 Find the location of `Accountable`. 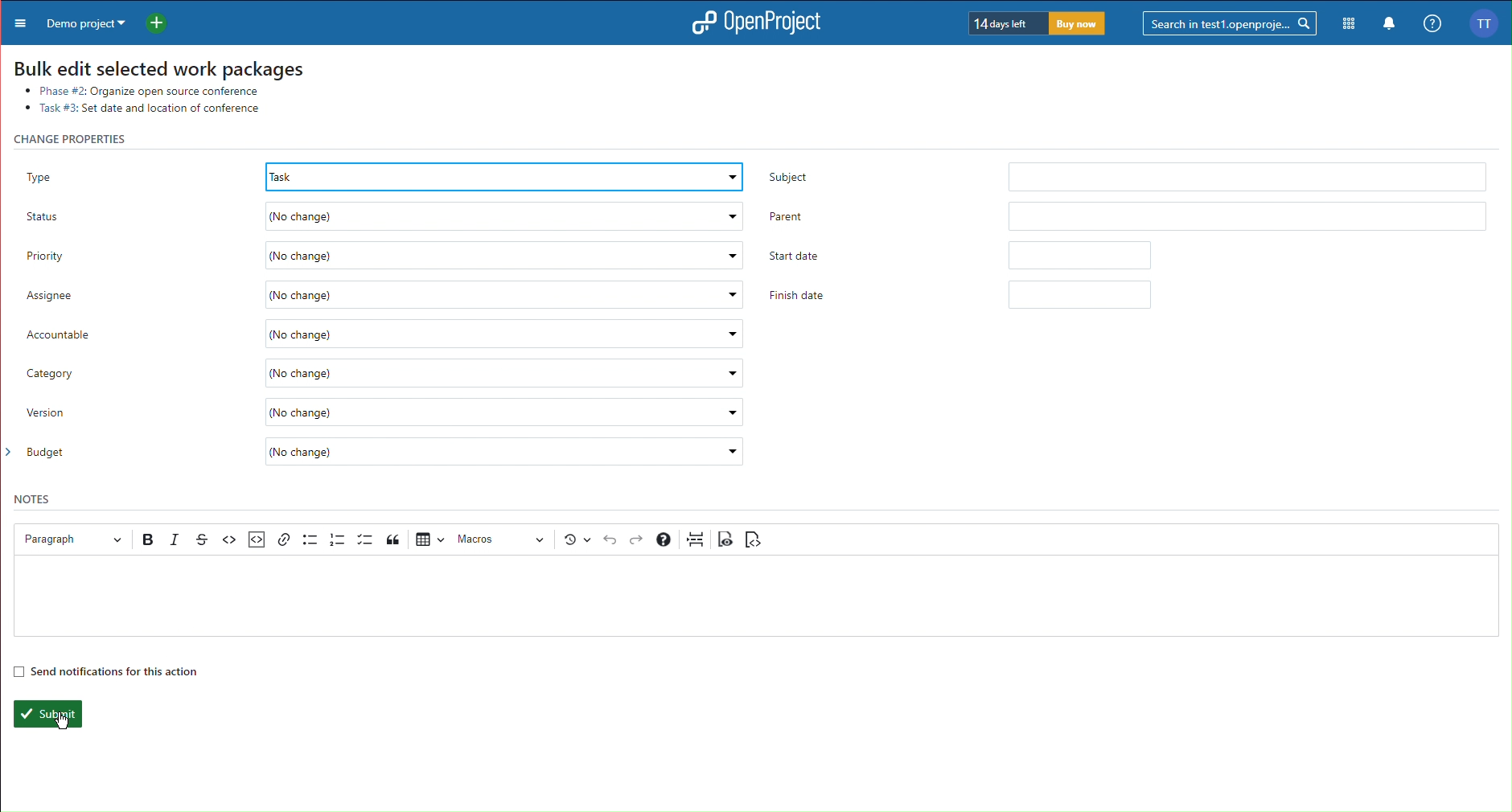

Accountable is located at coordinates (387, 332).